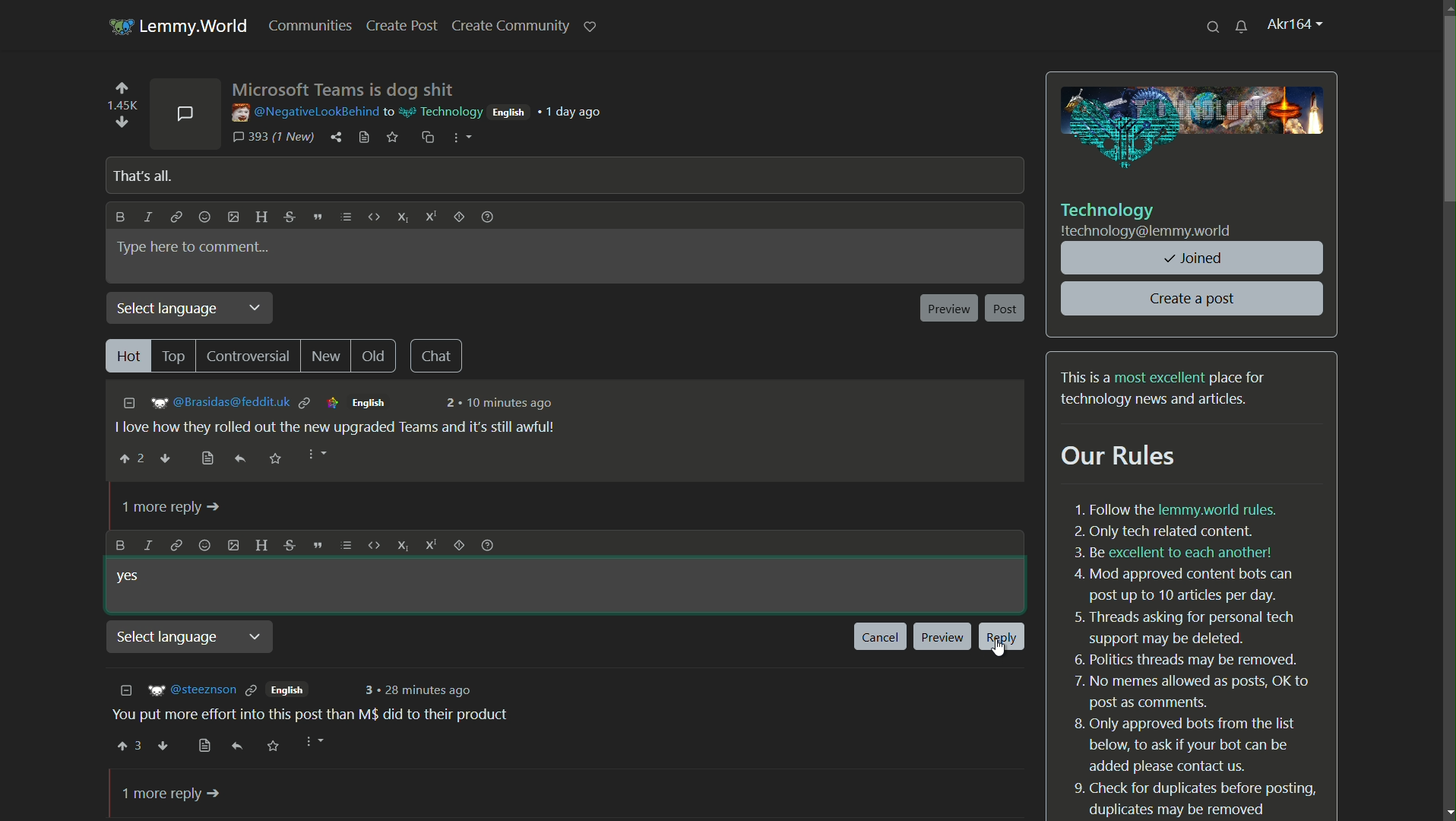 The height and width of the screenshot is (821, 1456). What do you see at coordinates (508, 112) in the screenshot?
I see `english` at bounding box center [508, 112].